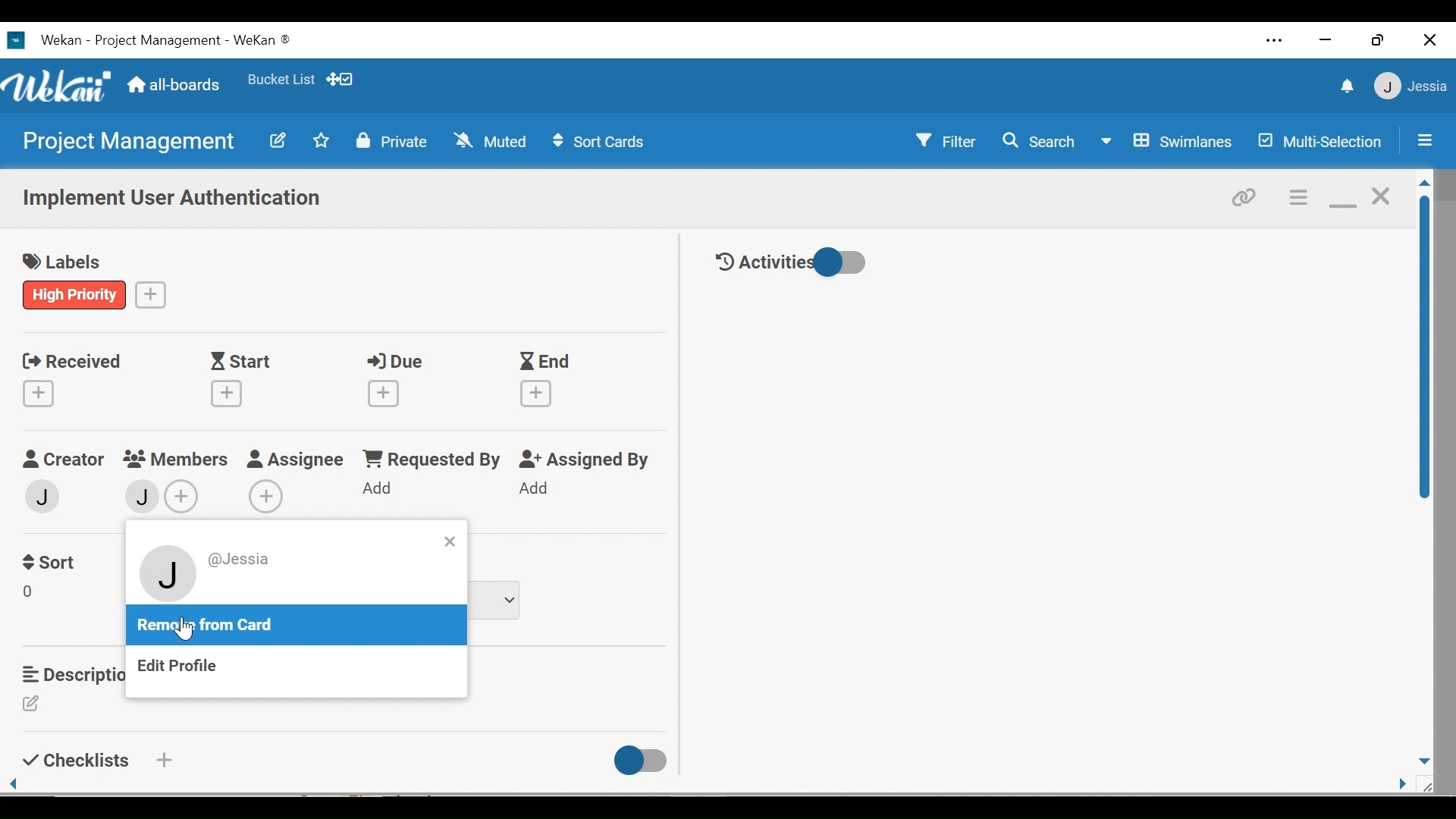  What do you see at coordinates (1428, 41) in the screenshot?
I see `Close` at bounding box center [1428, 41].